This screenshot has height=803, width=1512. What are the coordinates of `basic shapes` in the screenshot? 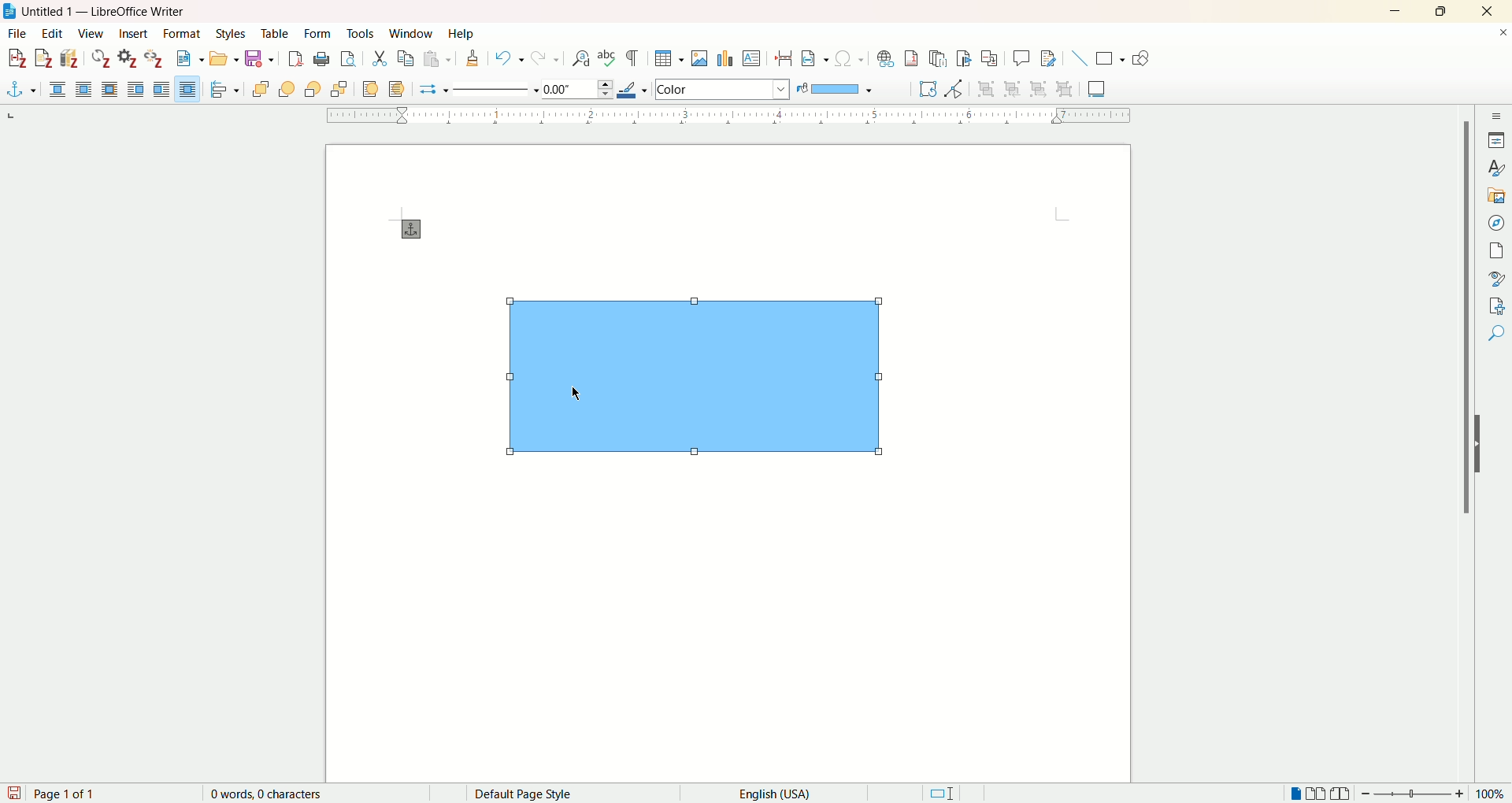 It's located at (1110, 58).